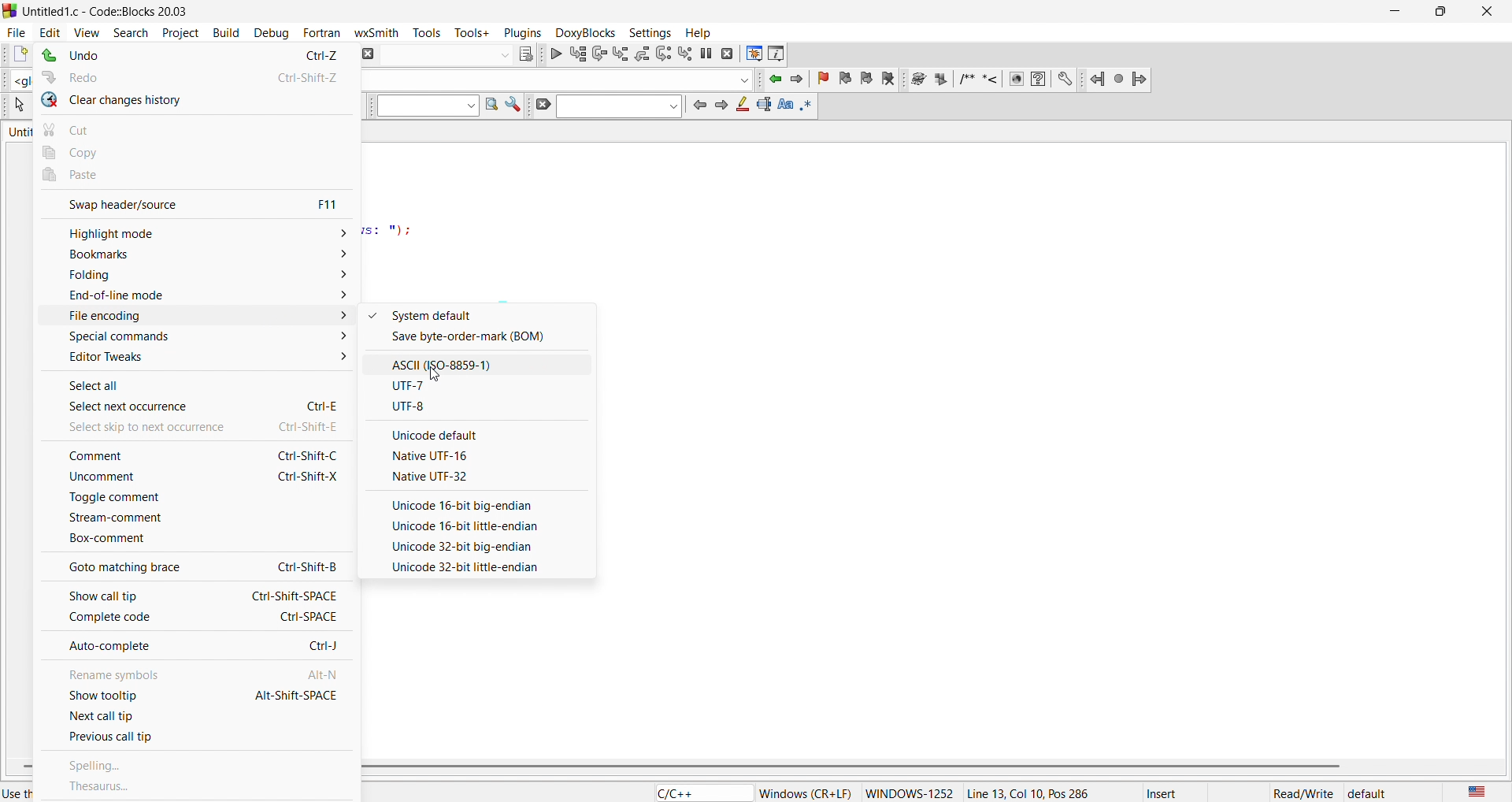 This screenshot has height=802, width=1512. Describe the element at coordinates (478, 314) in the screenshot. I see `system default` at that location.